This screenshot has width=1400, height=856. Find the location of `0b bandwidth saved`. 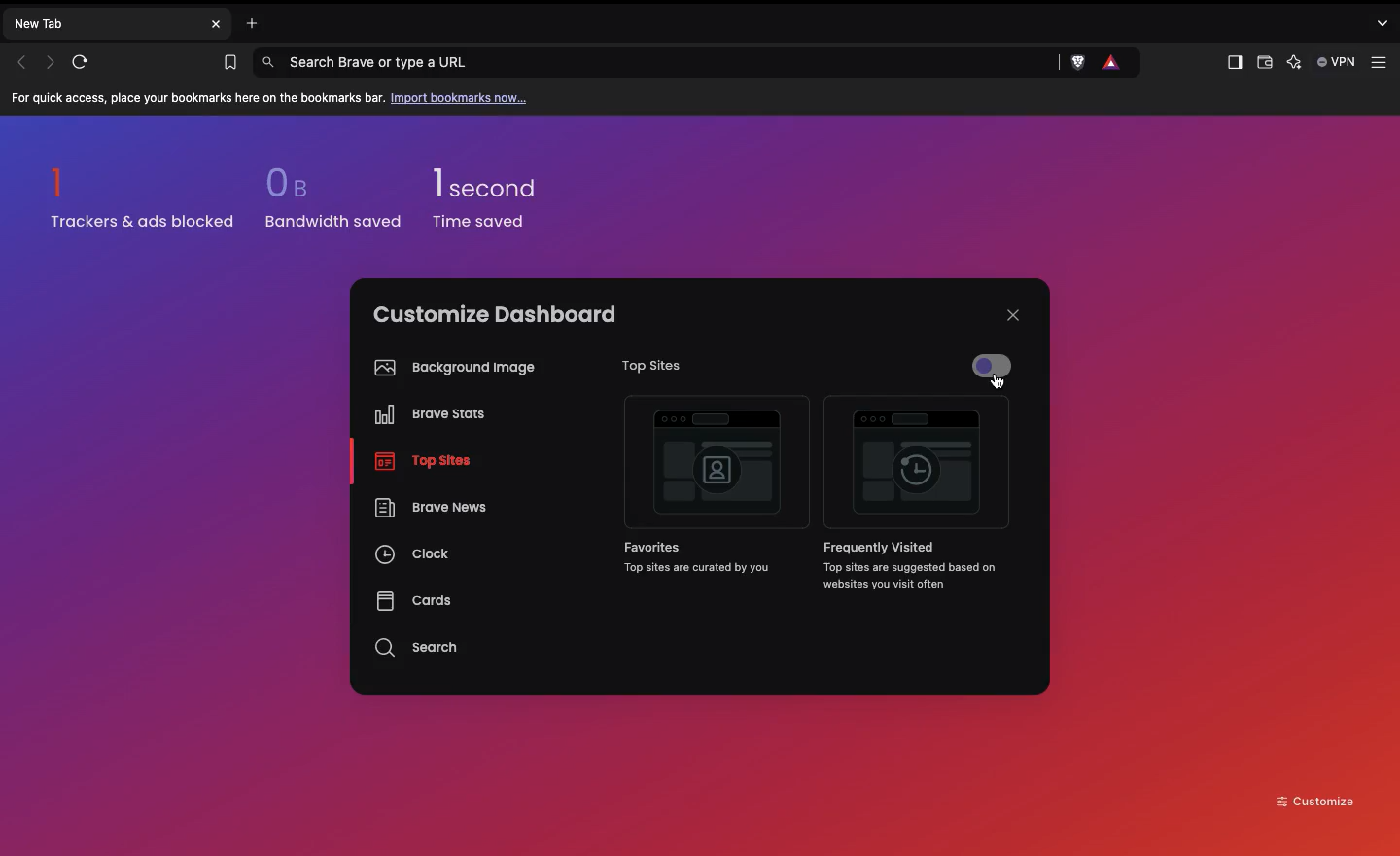

0b bandwidth saved is located at coordinates (328, 202).